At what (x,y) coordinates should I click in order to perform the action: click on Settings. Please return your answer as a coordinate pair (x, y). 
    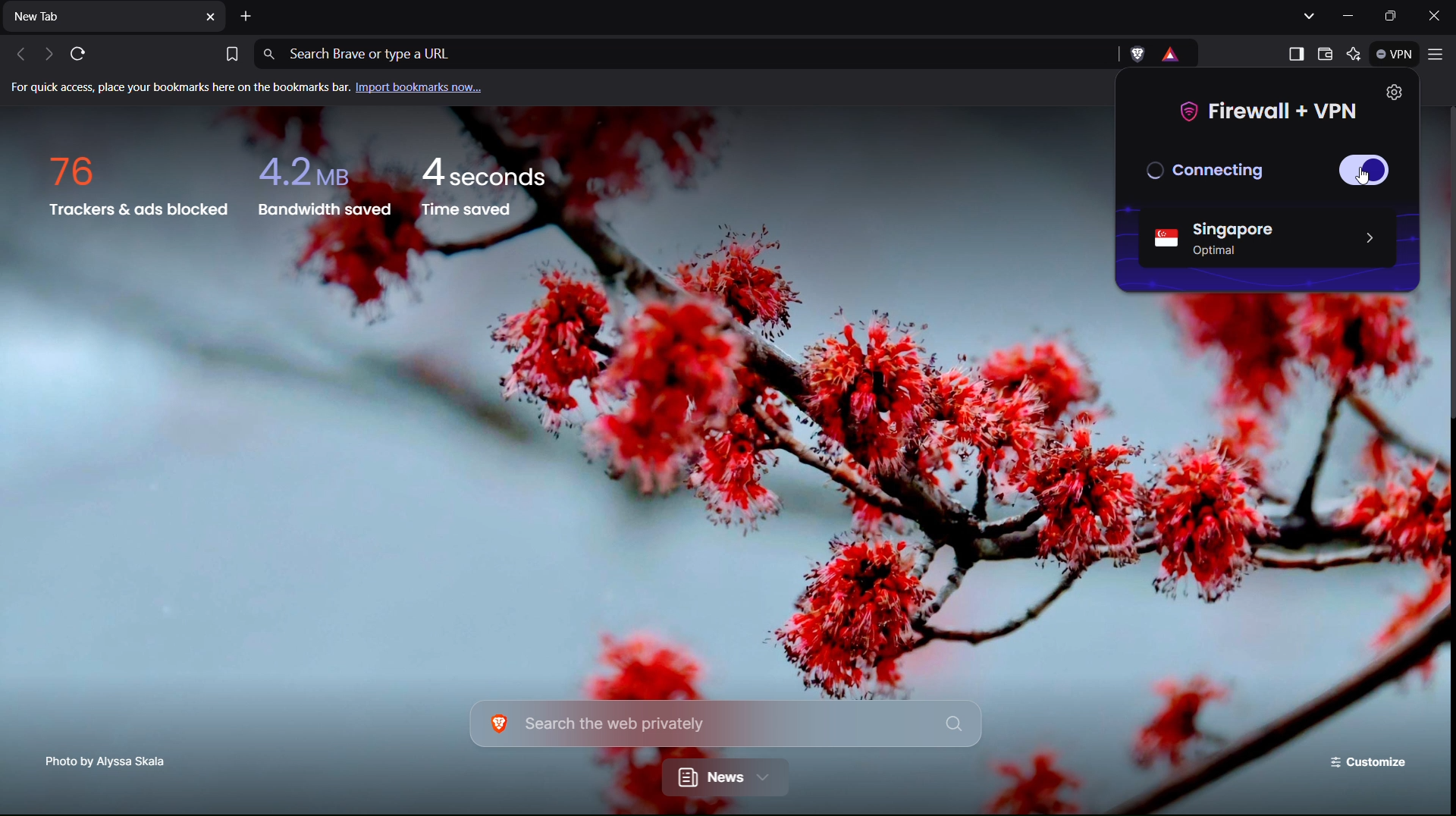
    Looking at the image, I should click on (1396, 93).